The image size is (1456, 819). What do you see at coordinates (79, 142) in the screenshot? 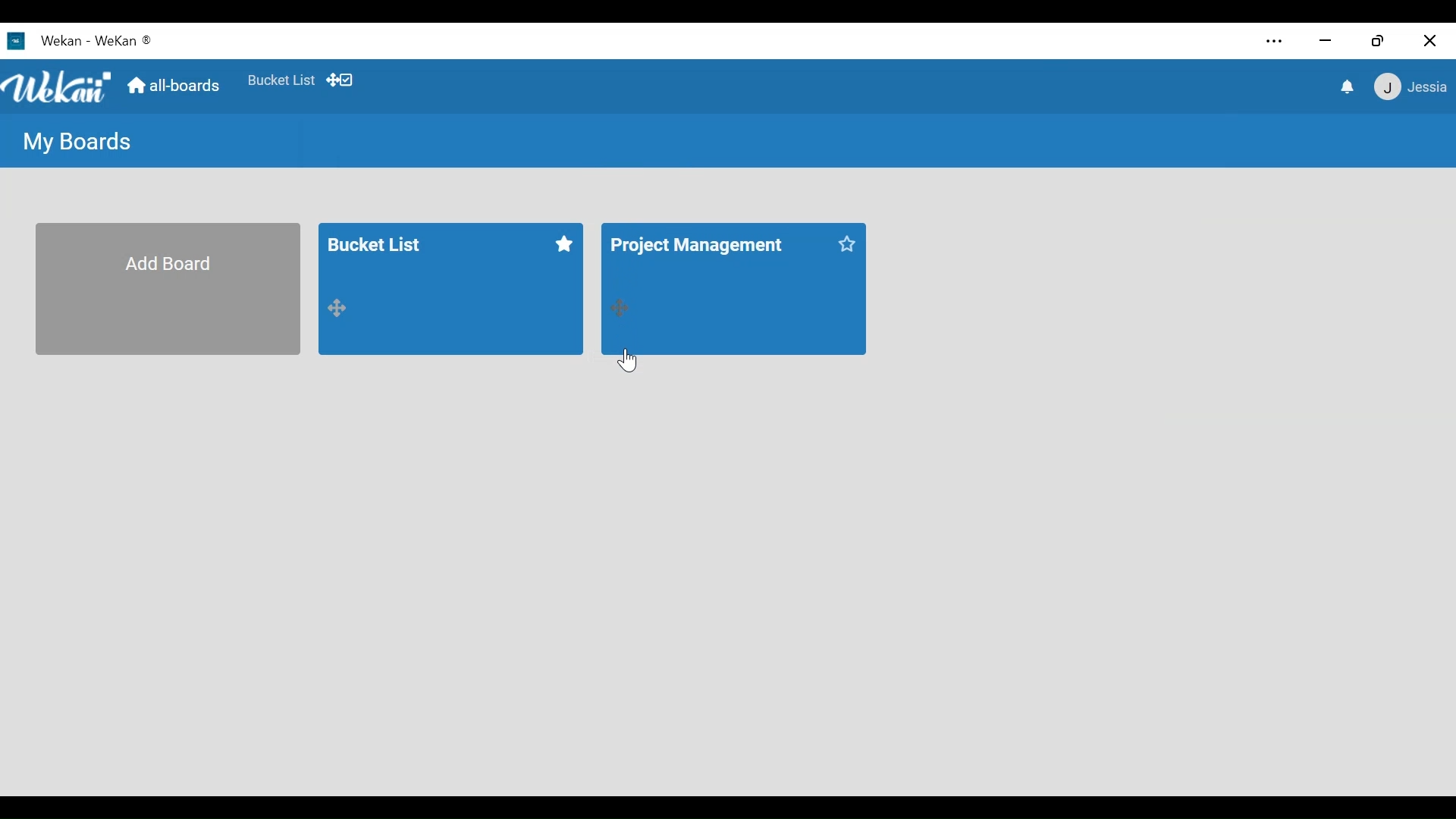
I see `My Boards` at bounding box center [79, 142].